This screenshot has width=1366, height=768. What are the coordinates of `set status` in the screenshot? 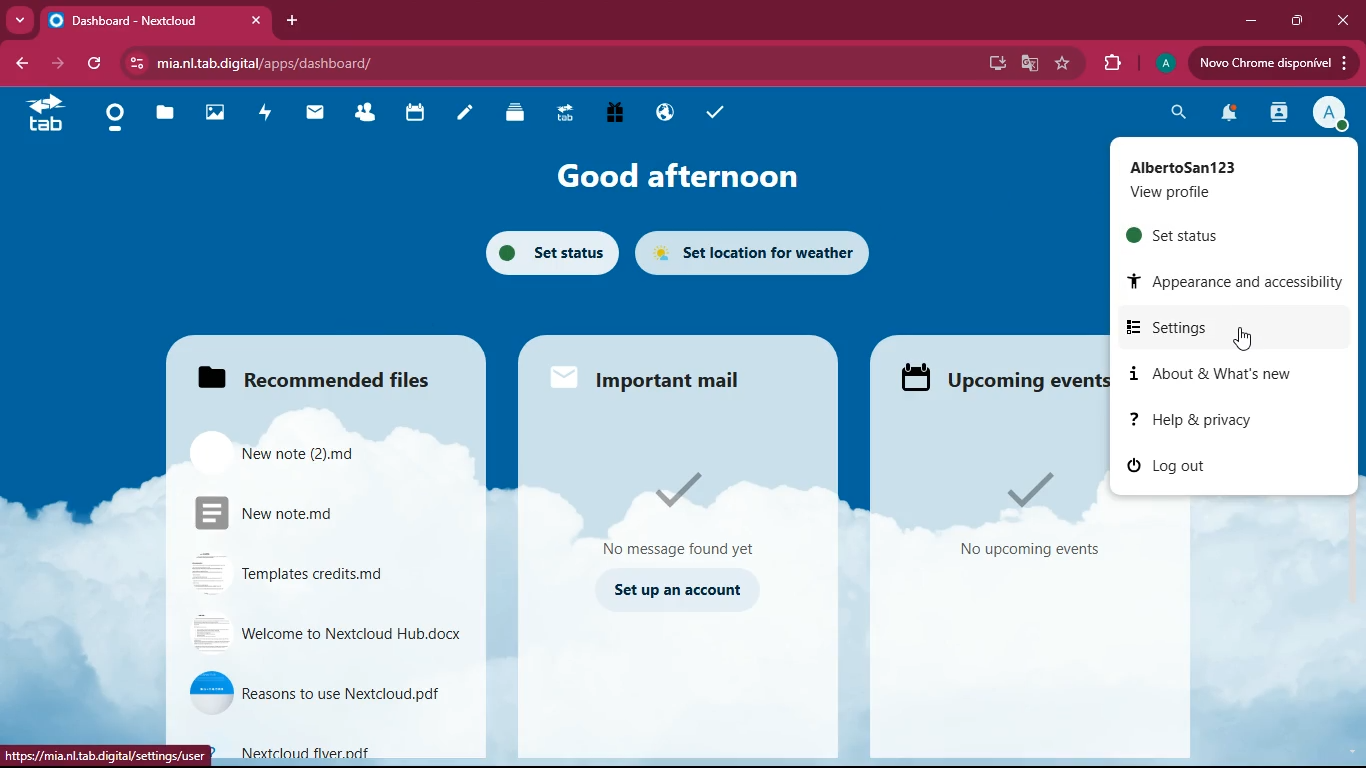 It's located at (1232, 236).